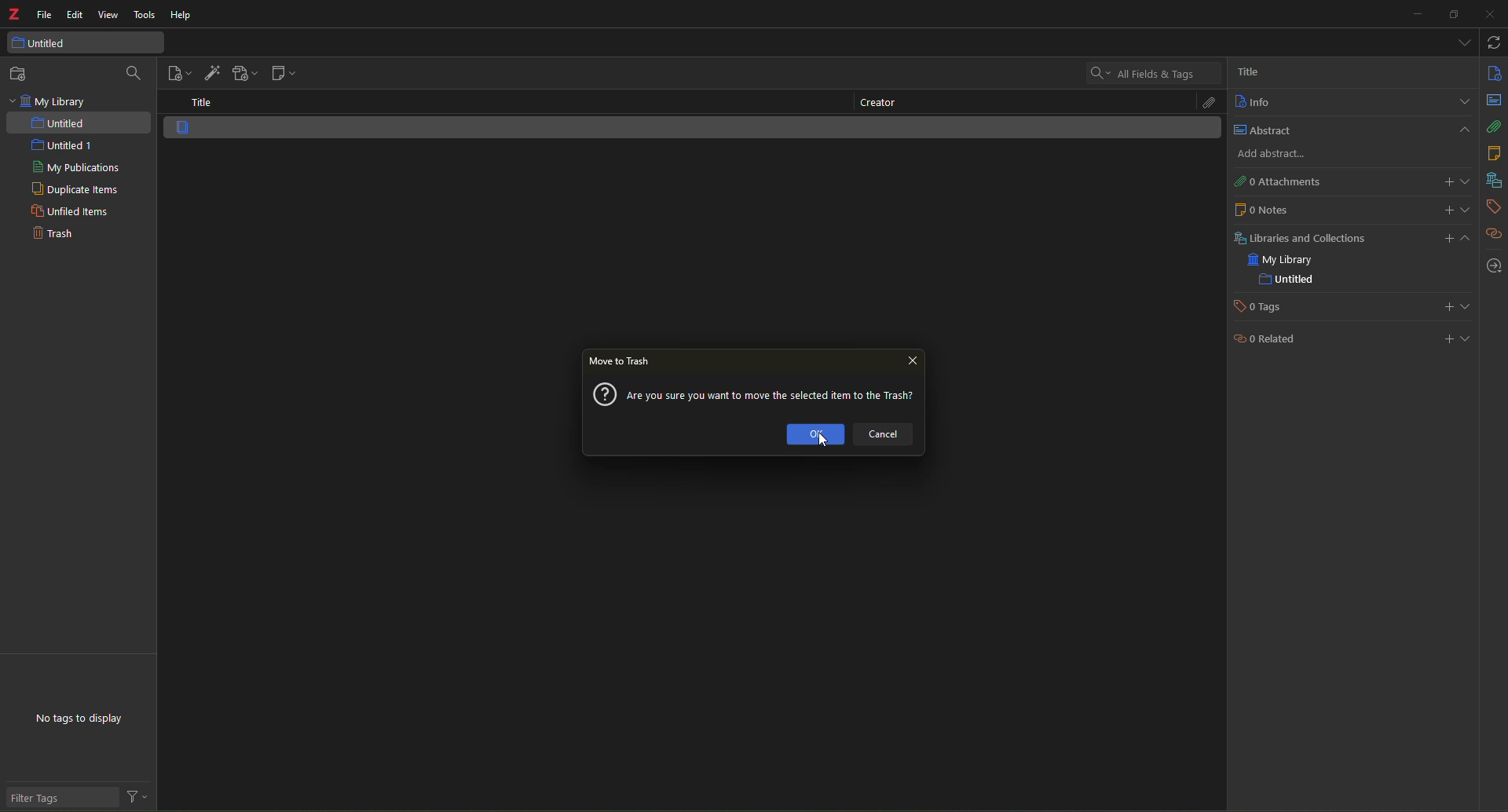  I want to click on untitled, so click(60, 123).